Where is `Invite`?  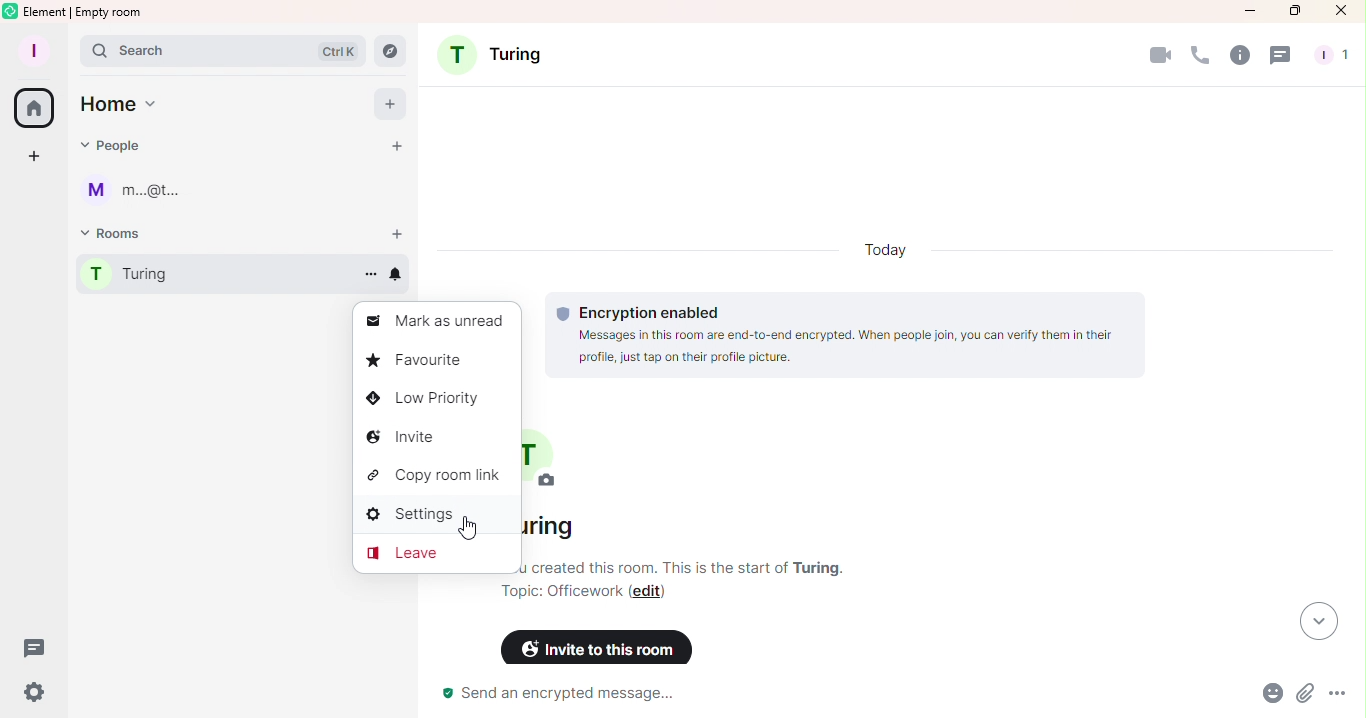 Invite is located at coordinates (410, 437).